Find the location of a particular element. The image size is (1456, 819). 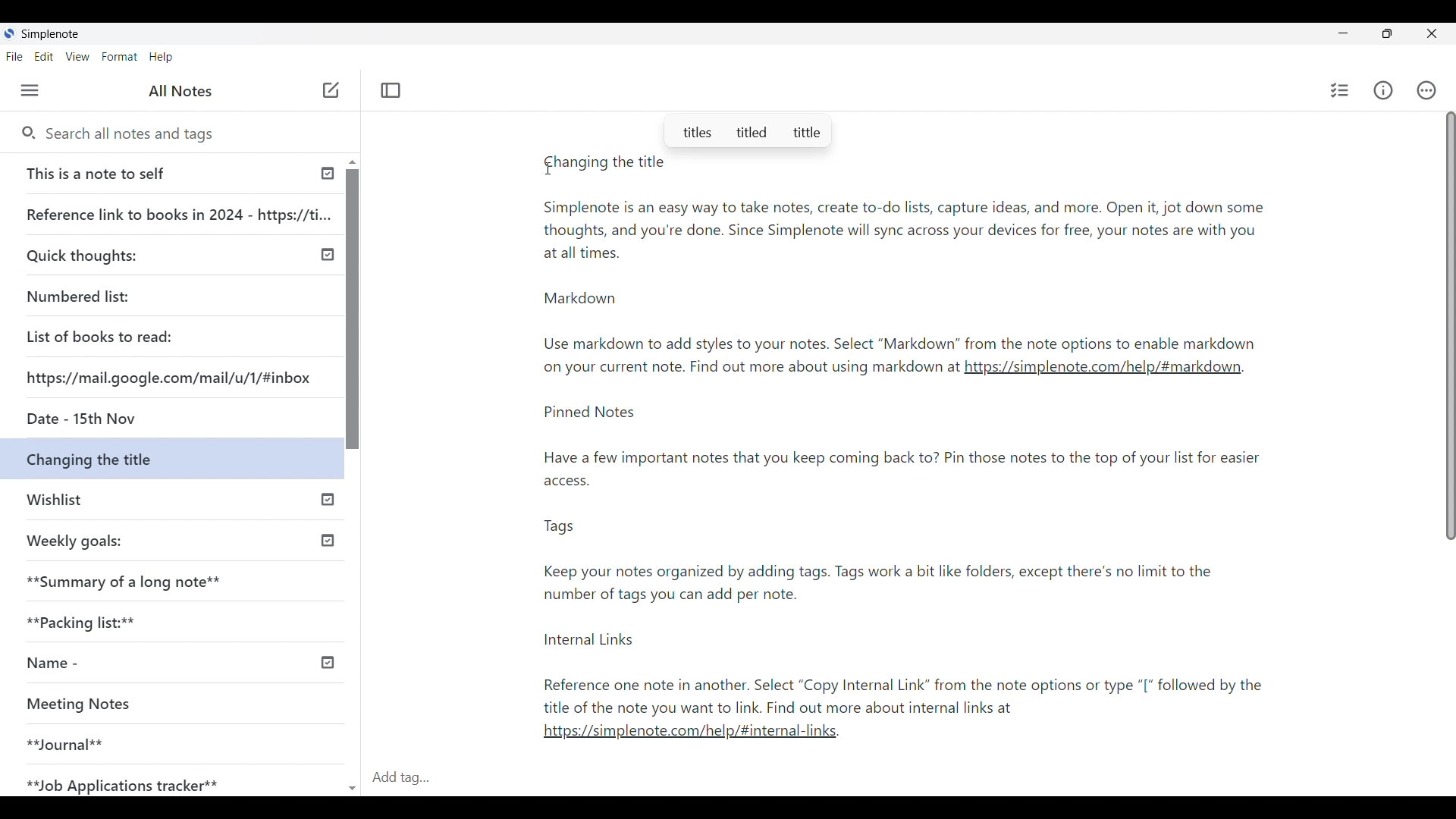

text is located at coordinates (918, 563).